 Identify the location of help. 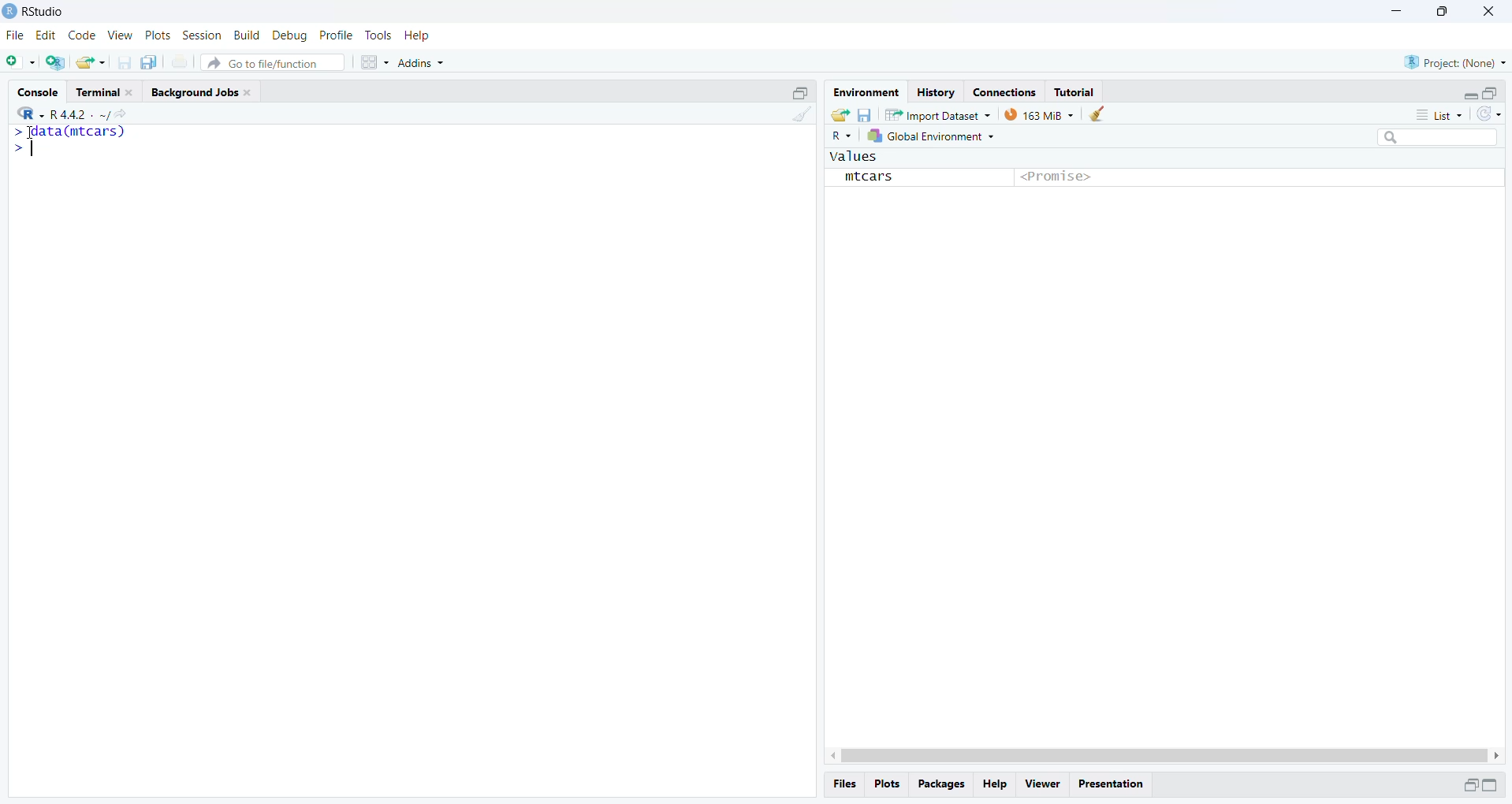
(994, 784).